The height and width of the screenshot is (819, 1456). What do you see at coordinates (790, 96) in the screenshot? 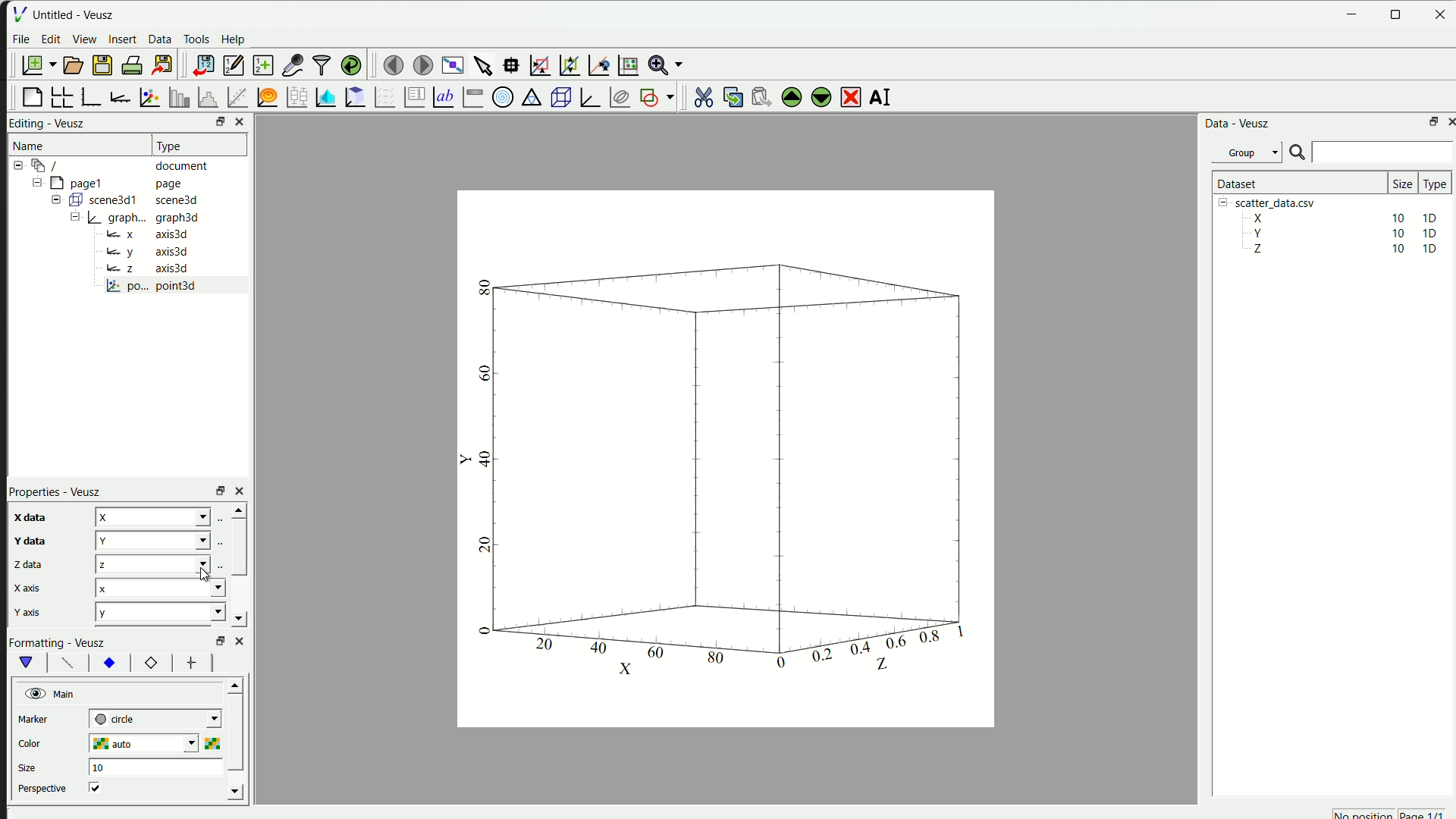
I see `move up the selected widget` at bounding box center [790, 96].